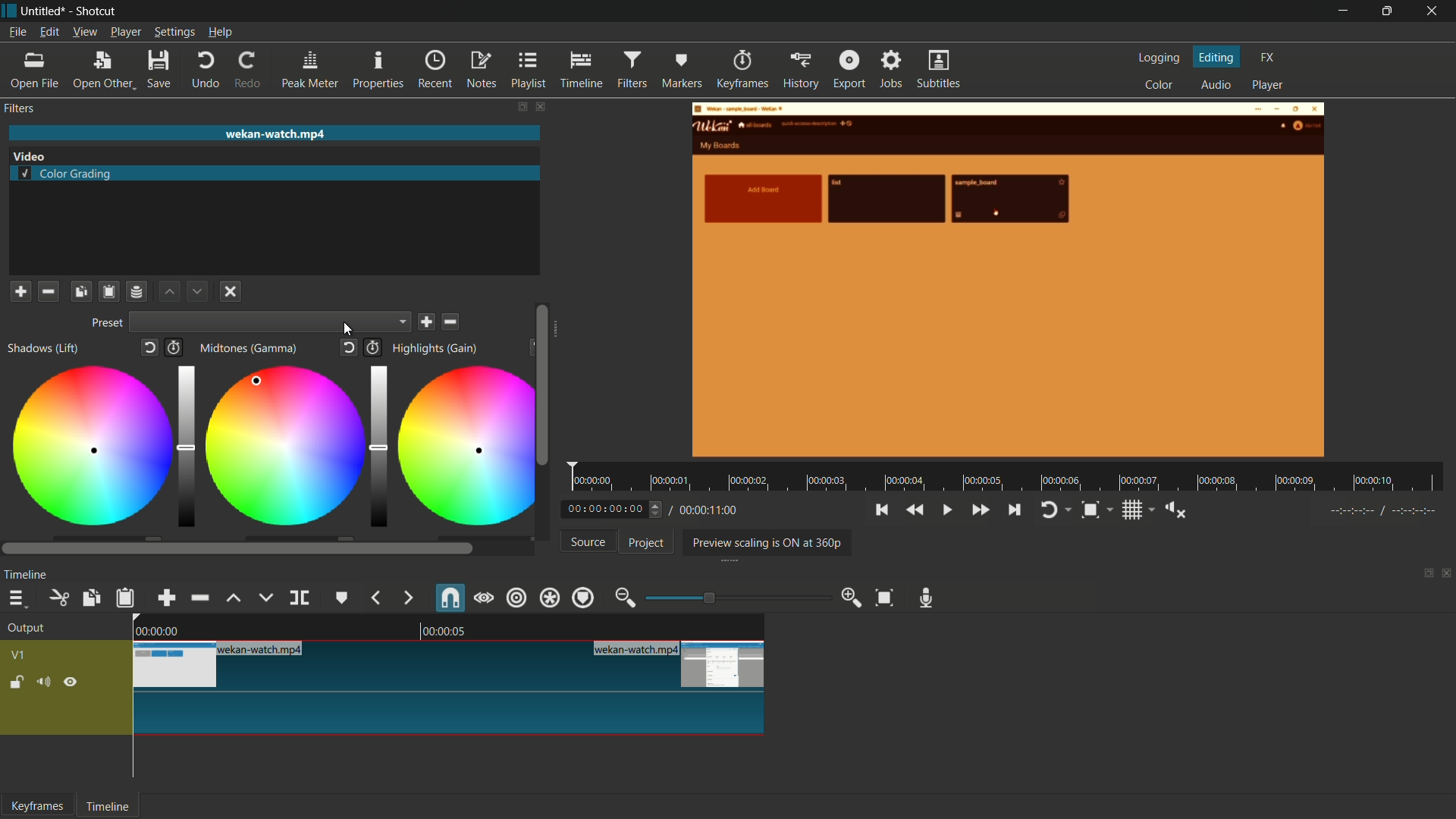  Describe the element at coordinates (238, 549) in the screenshot. I see `scroll bar` at that location.